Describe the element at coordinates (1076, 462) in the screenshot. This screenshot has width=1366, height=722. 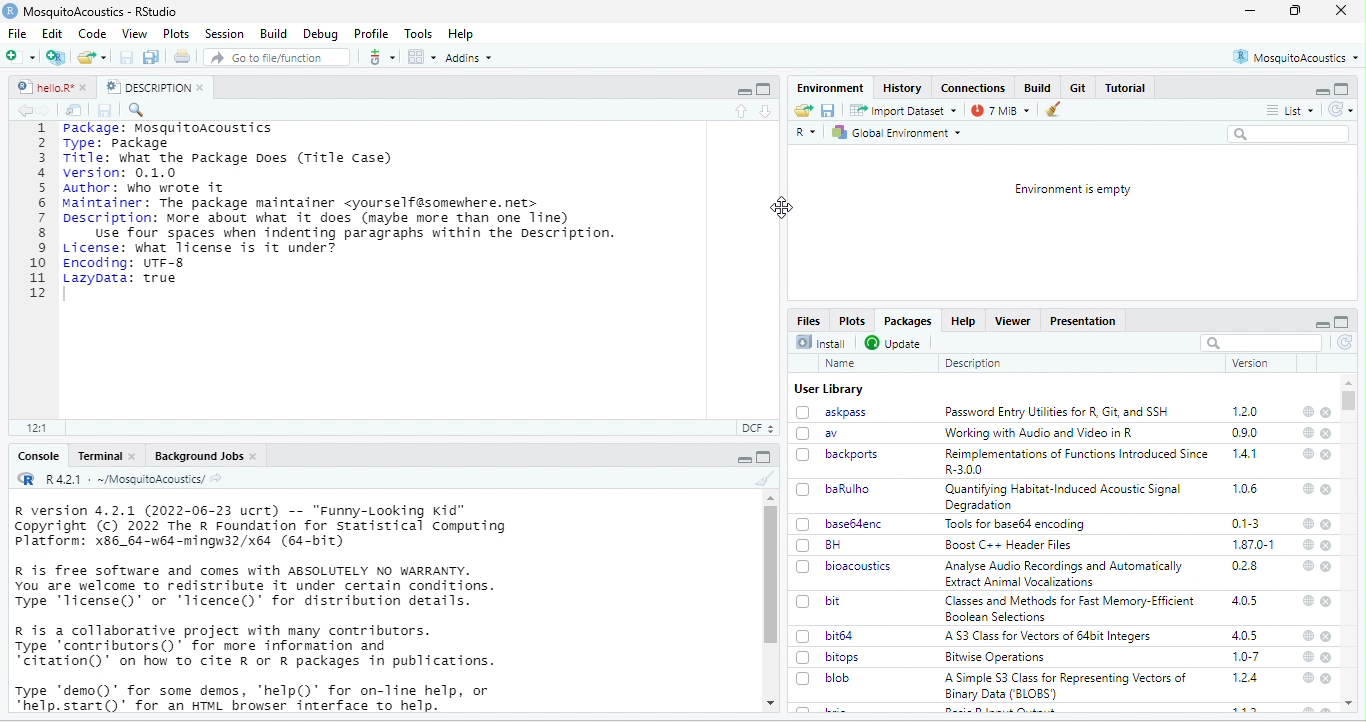
I see `Reimplementations of Functions Introduced Since R-3.00` at that location.